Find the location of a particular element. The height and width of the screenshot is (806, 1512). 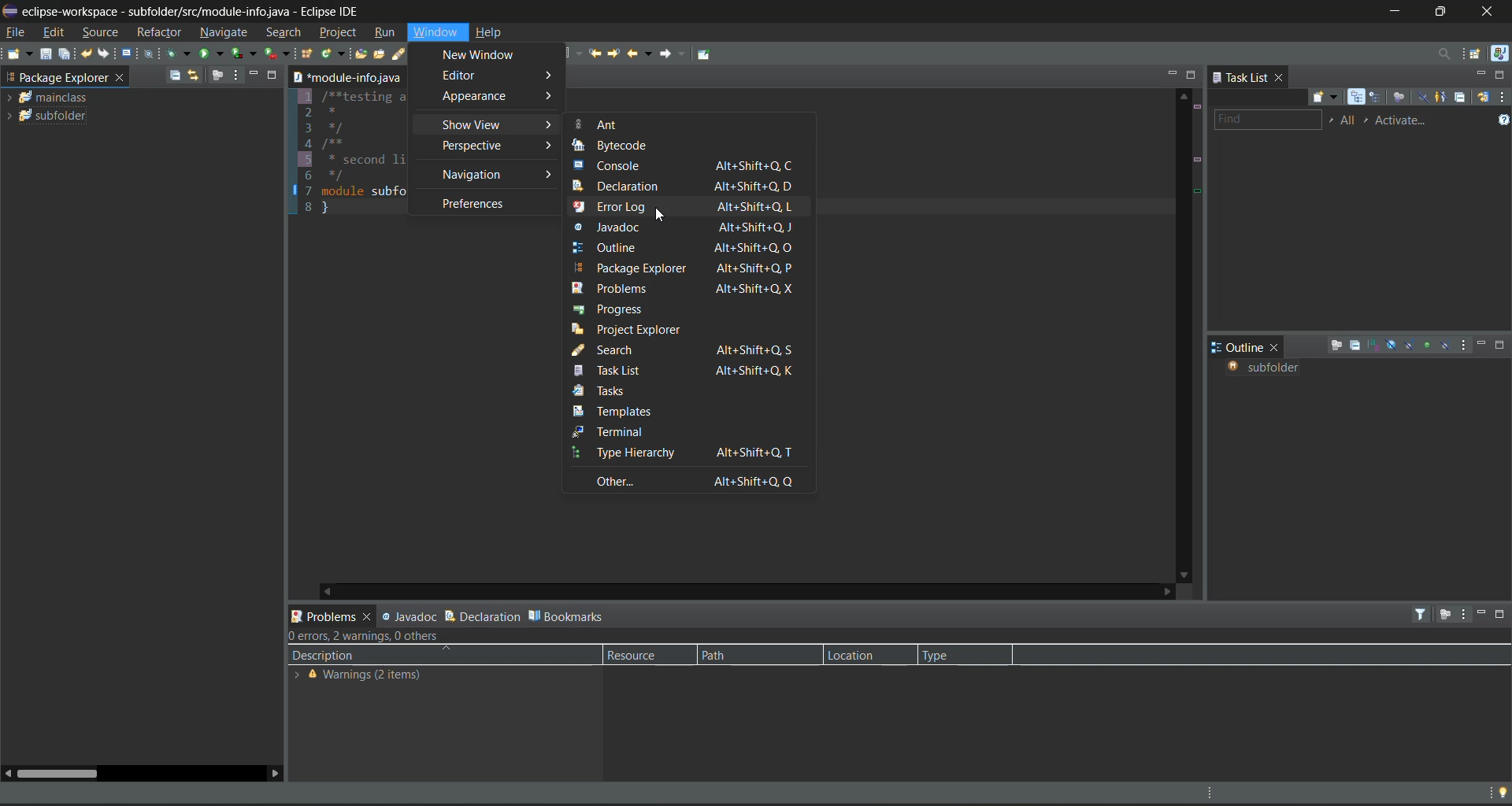

new java package is located at coordinates (308, 53).